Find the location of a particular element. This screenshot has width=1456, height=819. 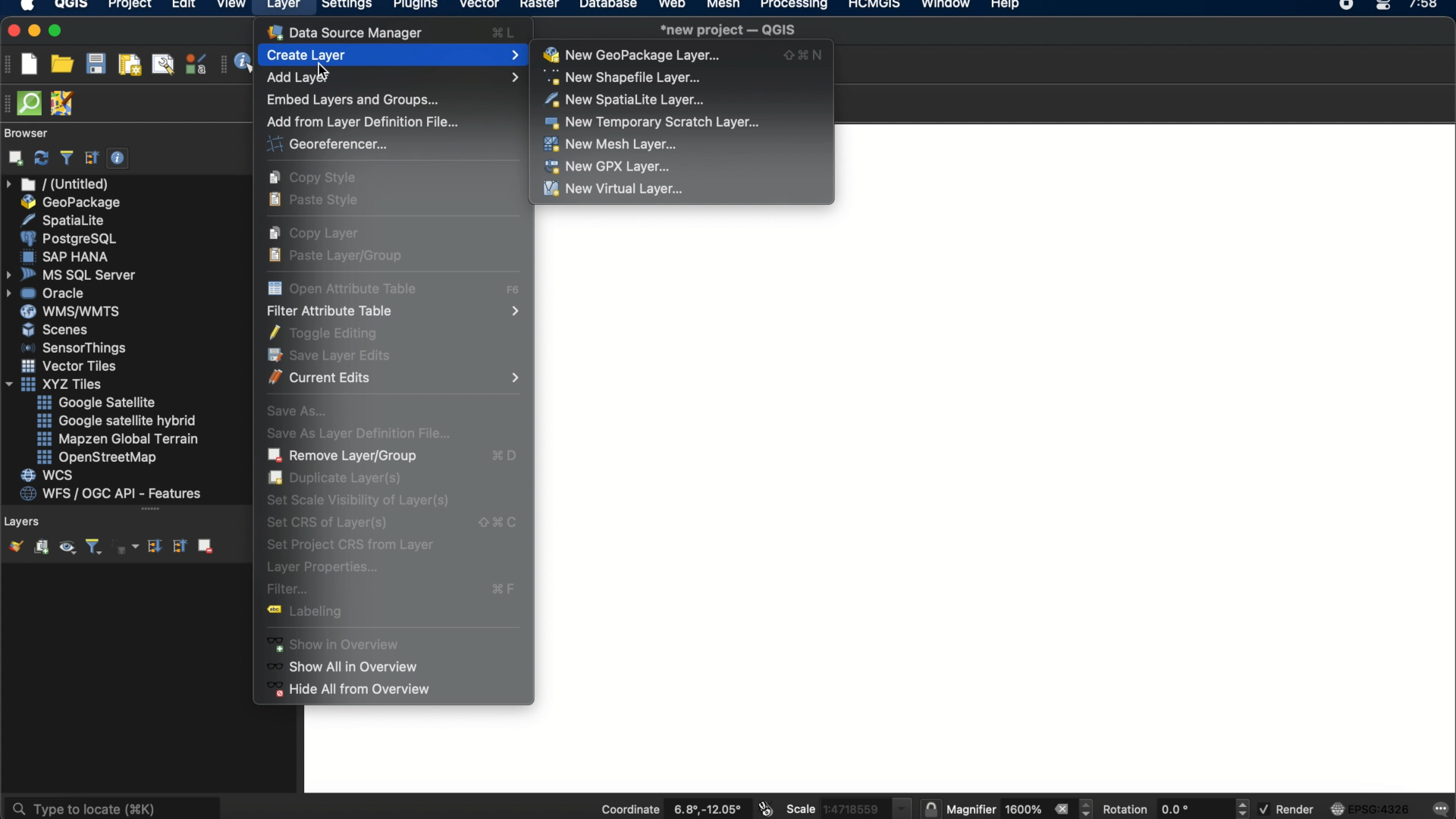

apple logo is located at coordinates (25, 6).